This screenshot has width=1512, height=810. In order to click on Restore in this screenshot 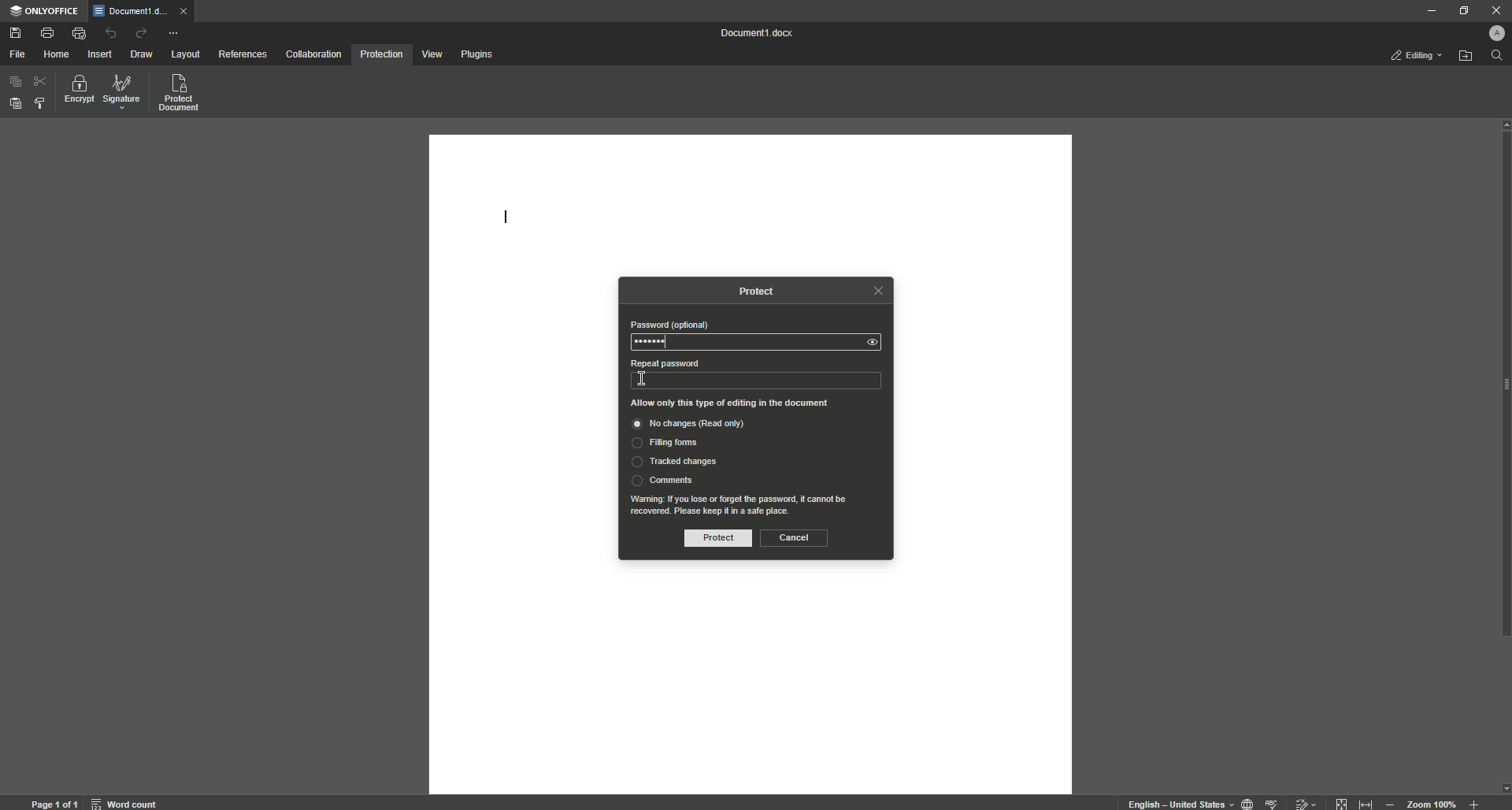, I will do `click(1461, 10)`.